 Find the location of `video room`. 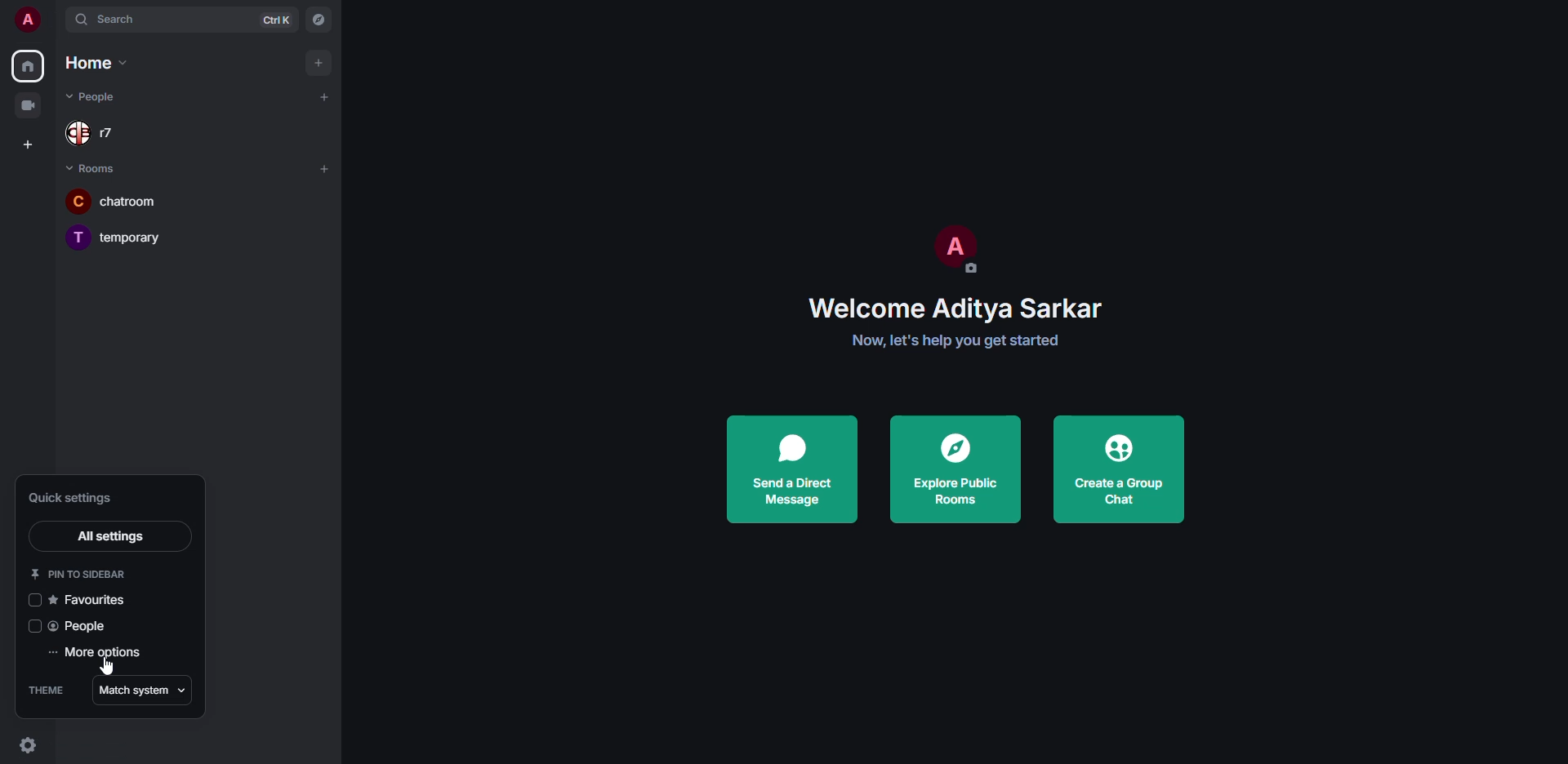

video room is located at coordinates (34, 105).